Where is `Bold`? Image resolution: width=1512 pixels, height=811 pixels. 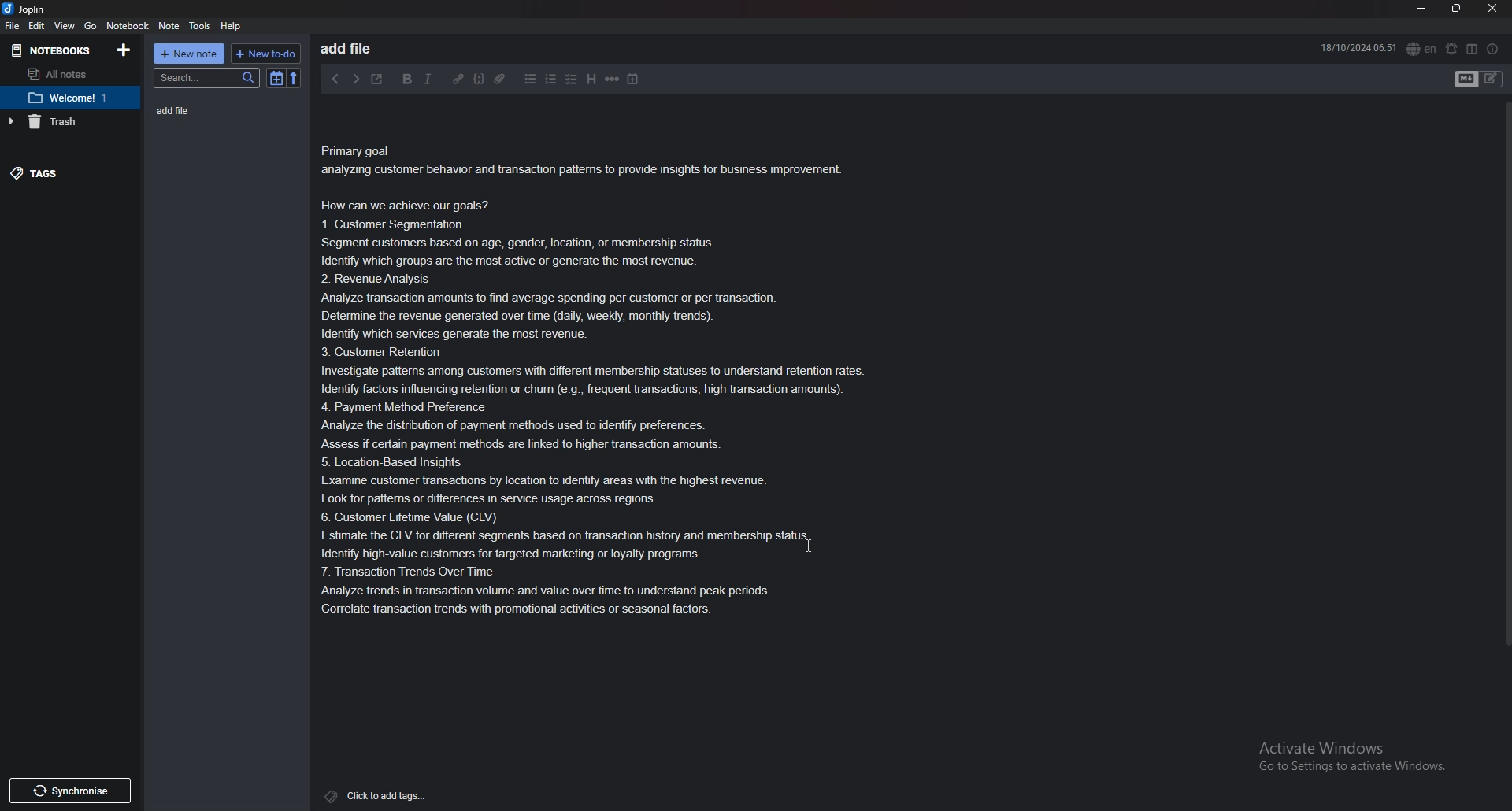 Bold is located at coordinates (408, 80).